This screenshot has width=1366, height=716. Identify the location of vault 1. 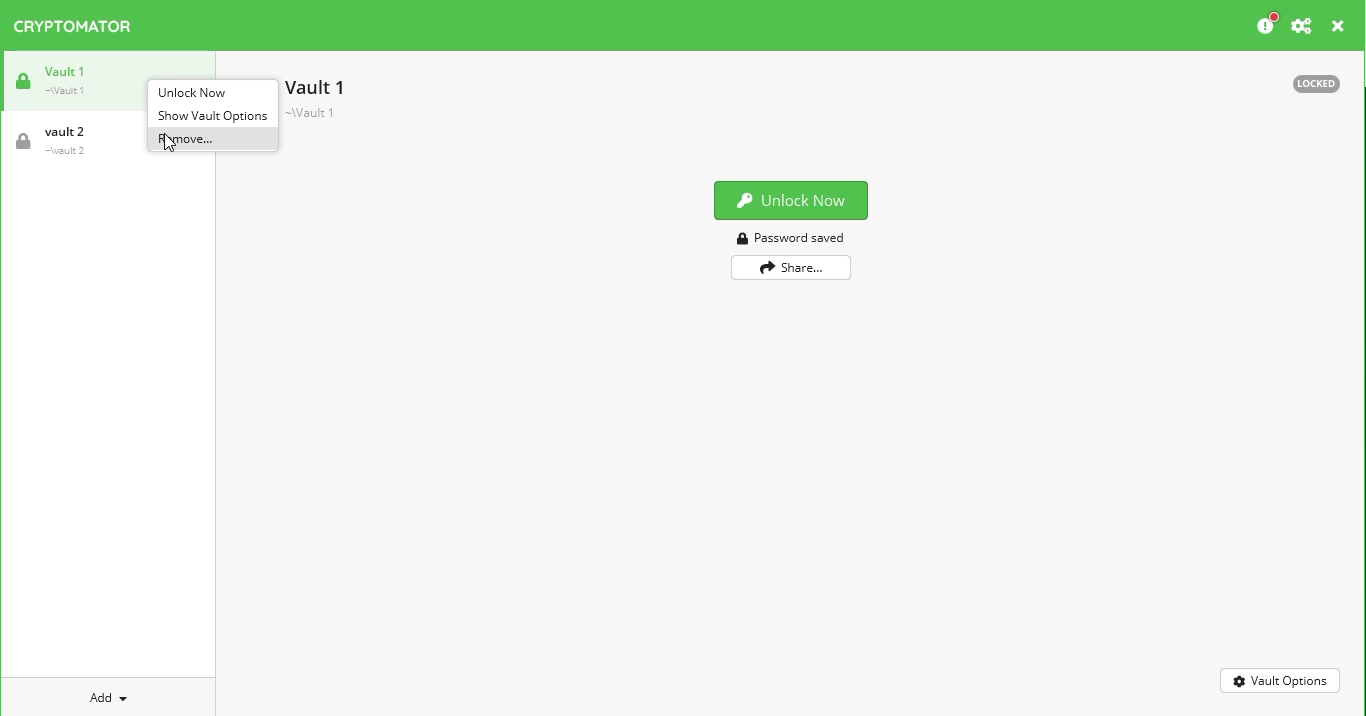
(60, 80).